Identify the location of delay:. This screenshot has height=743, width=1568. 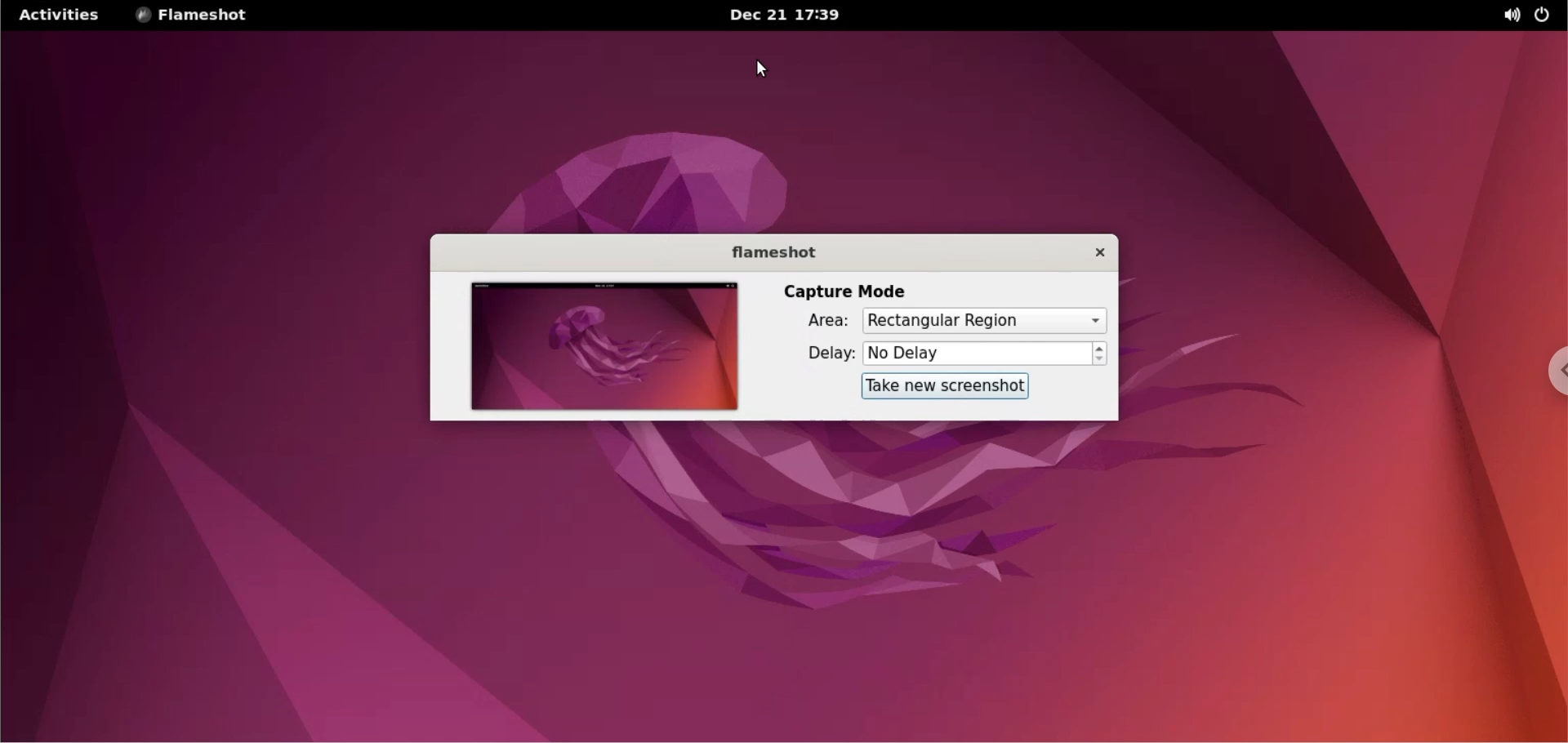
(816, 354).